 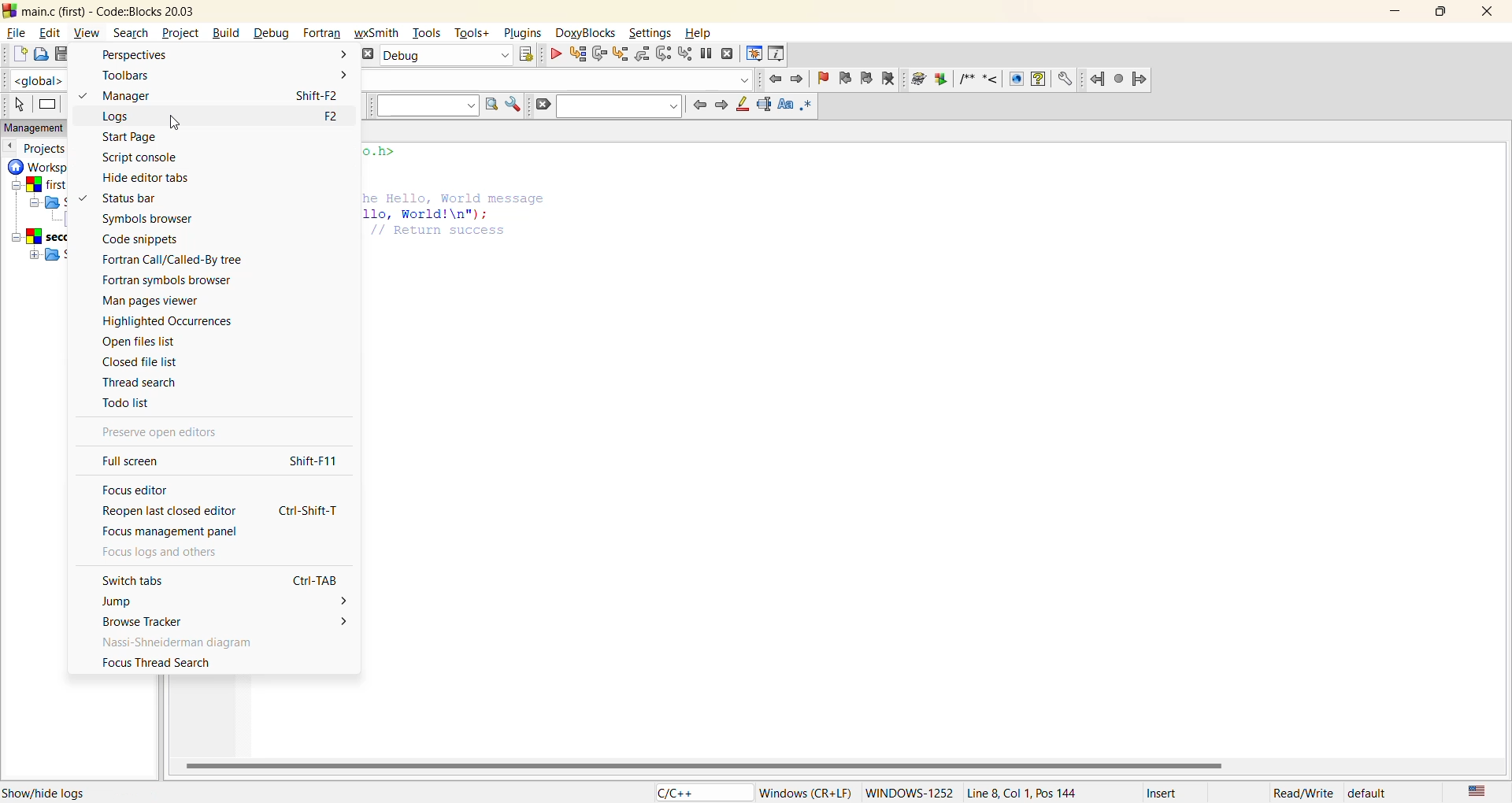 What do you see at coordinates (1303, 794) in the screenshot?
I see `Read/Write` at bounding box center [1303, 794].